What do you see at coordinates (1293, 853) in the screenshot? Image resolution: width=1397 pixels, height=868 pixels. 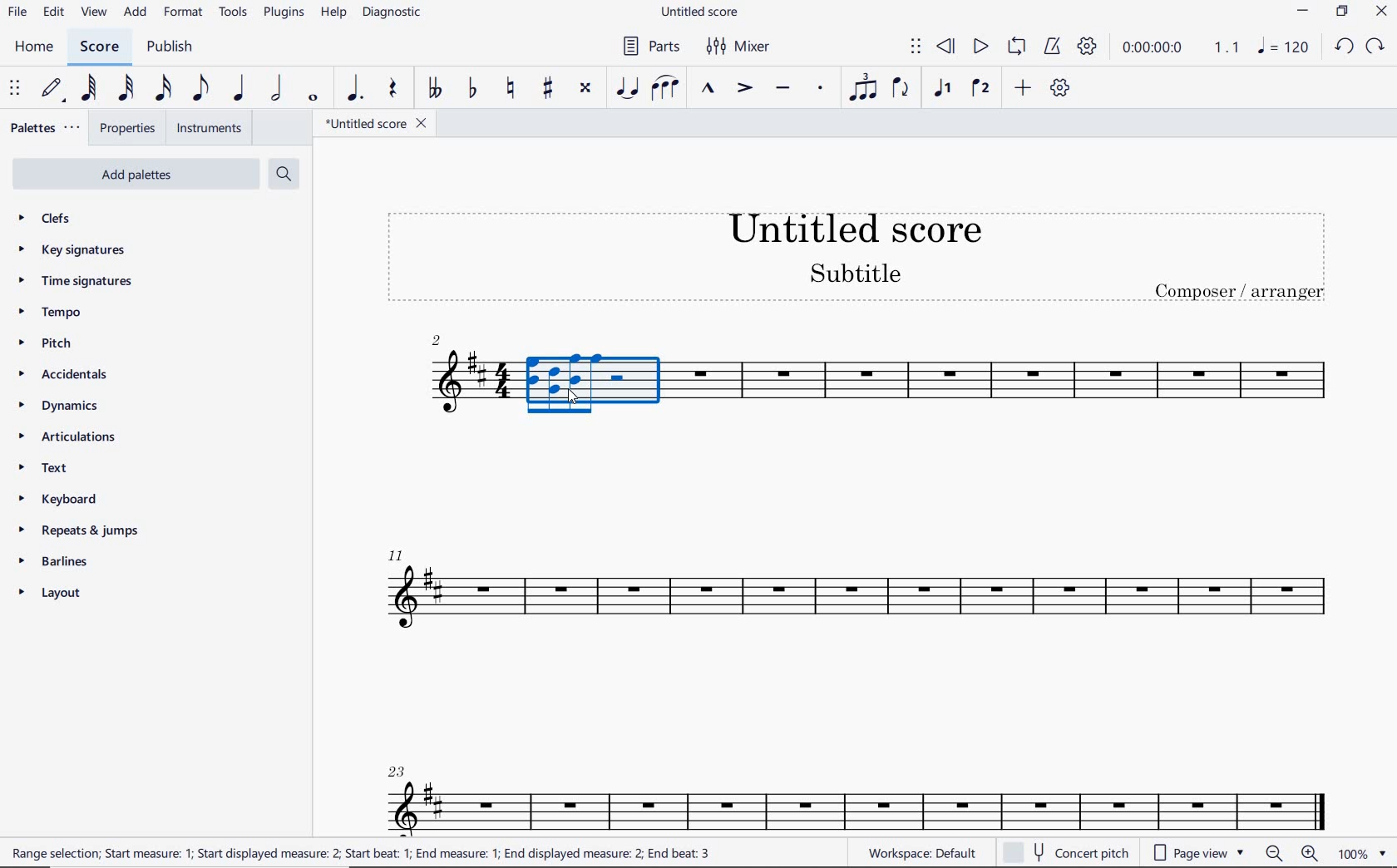 I see `zoom out or zoom in` at bounding box center [1293, 853].